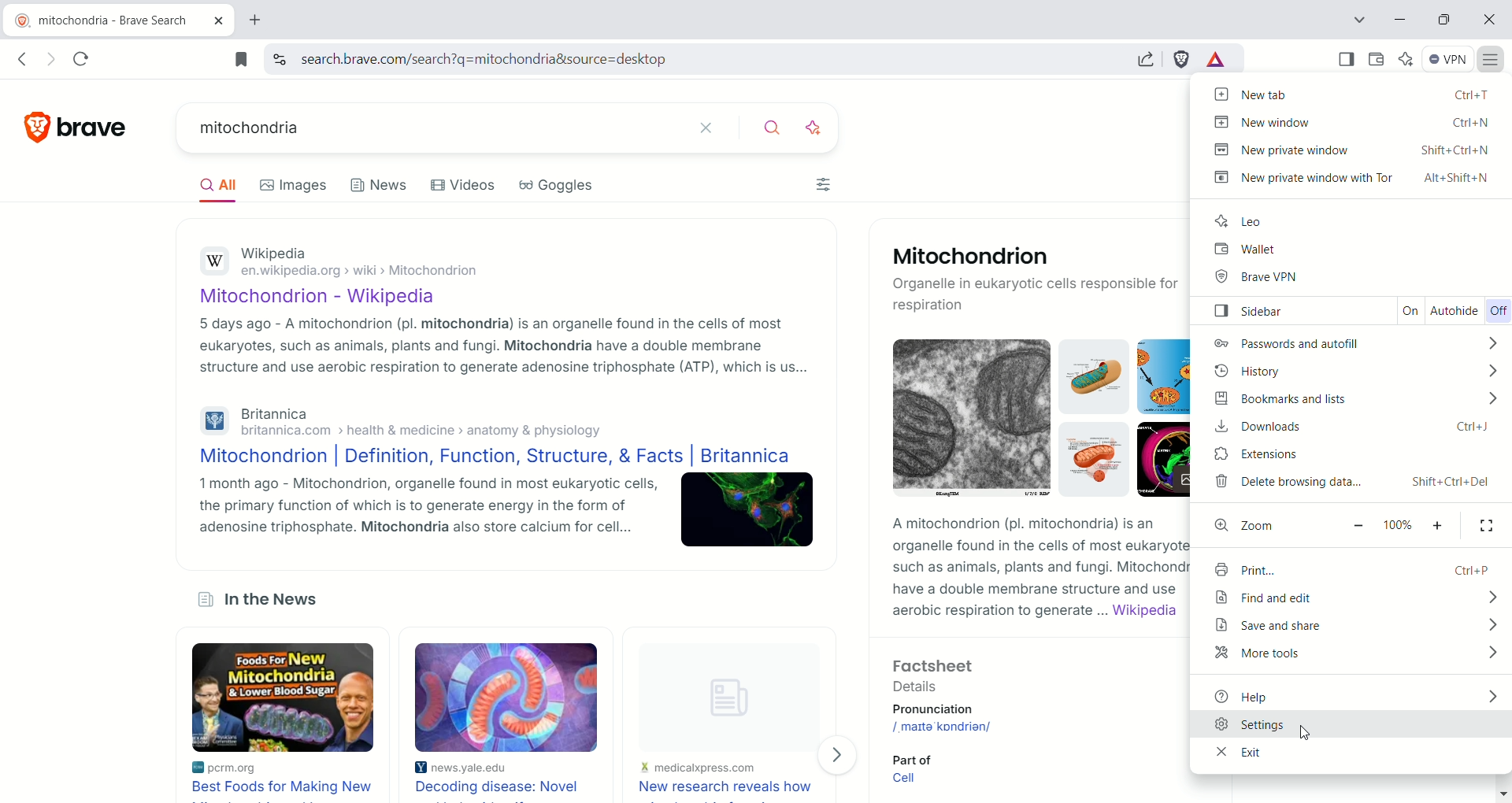 The height and width of the screenshot is (803, 1512). Describe the element at coordinates (1352, 120) in the screenshot. I see `new window` at that location.